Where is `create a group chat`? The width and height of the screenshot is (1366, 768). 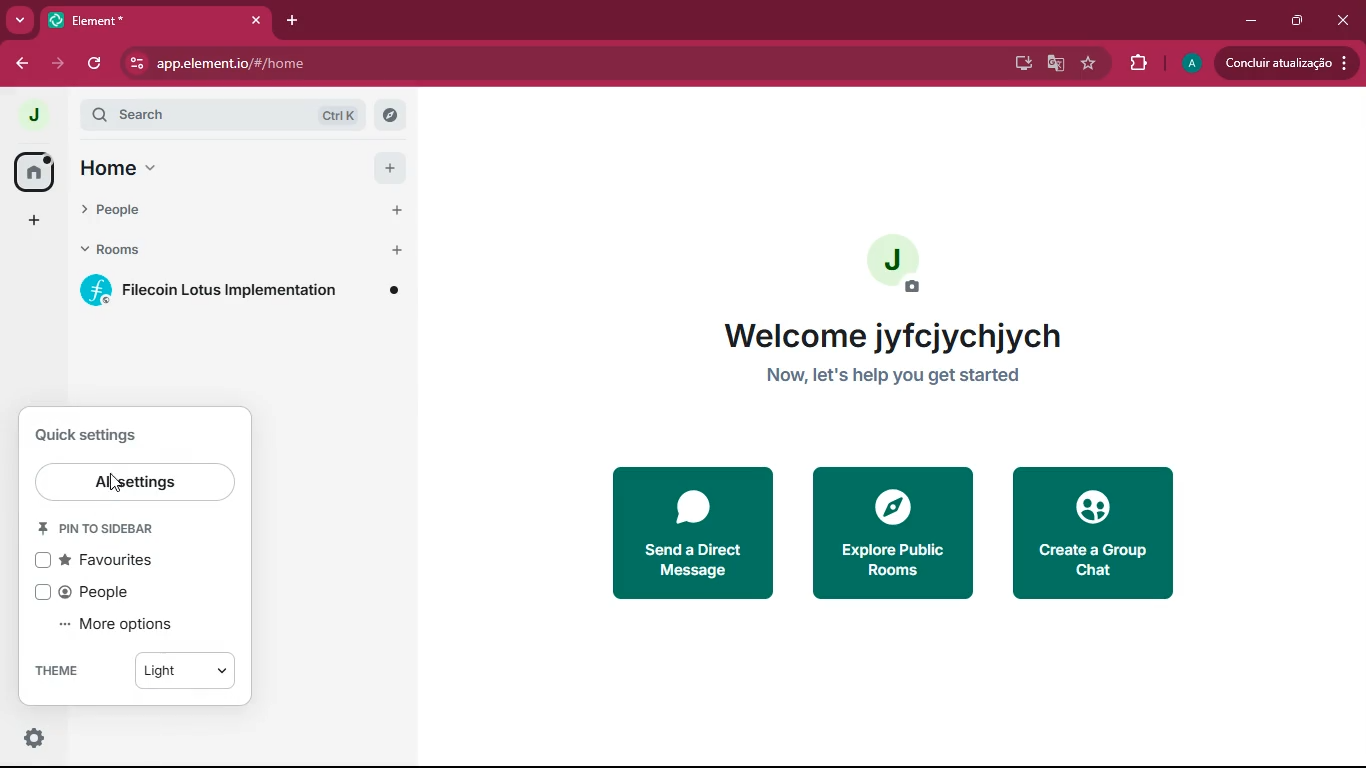 create a group chat is located at coordinates (1093, 532).